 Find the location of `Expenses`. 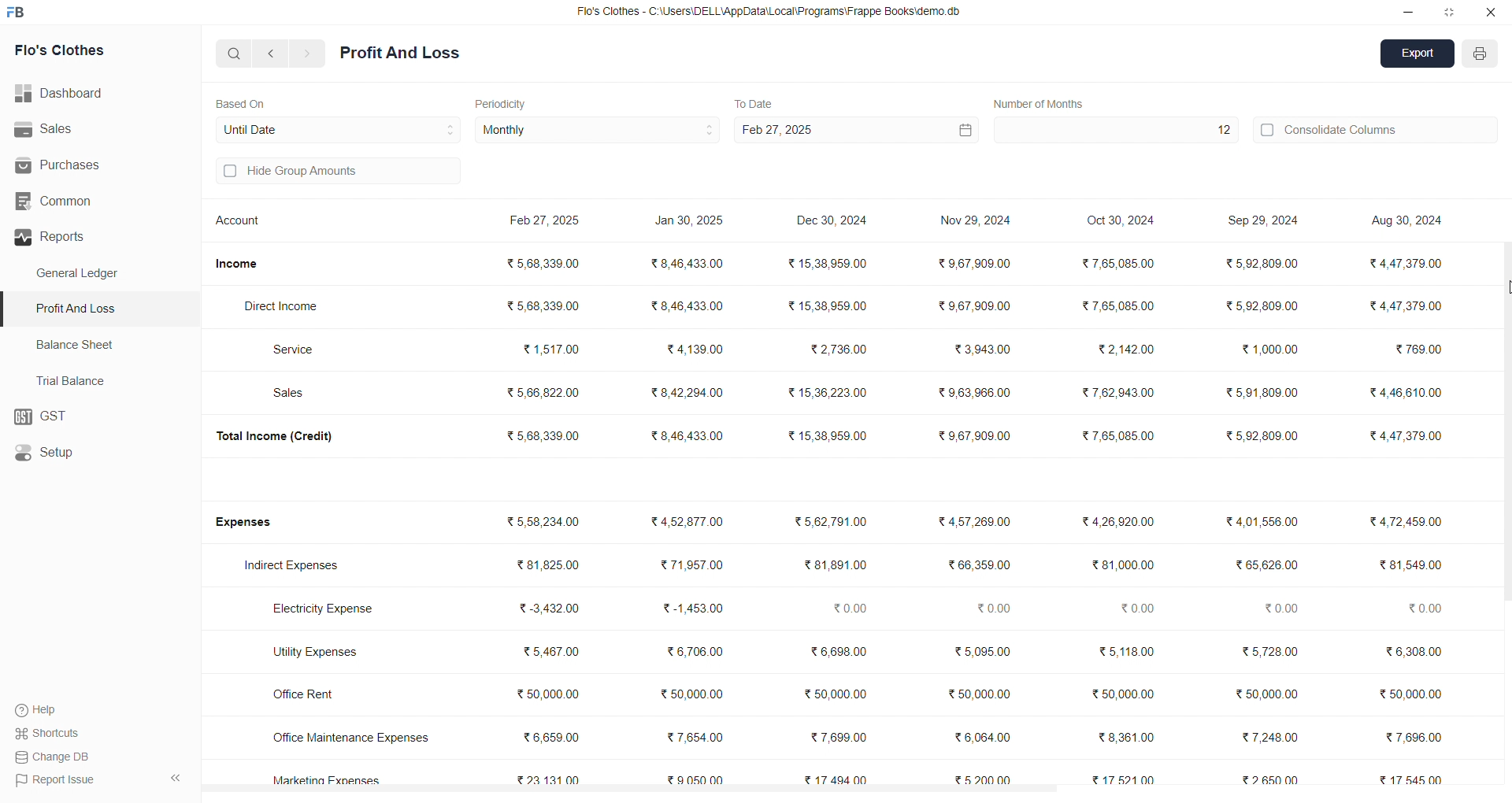

Expenses is located at coordinates (254, 523).